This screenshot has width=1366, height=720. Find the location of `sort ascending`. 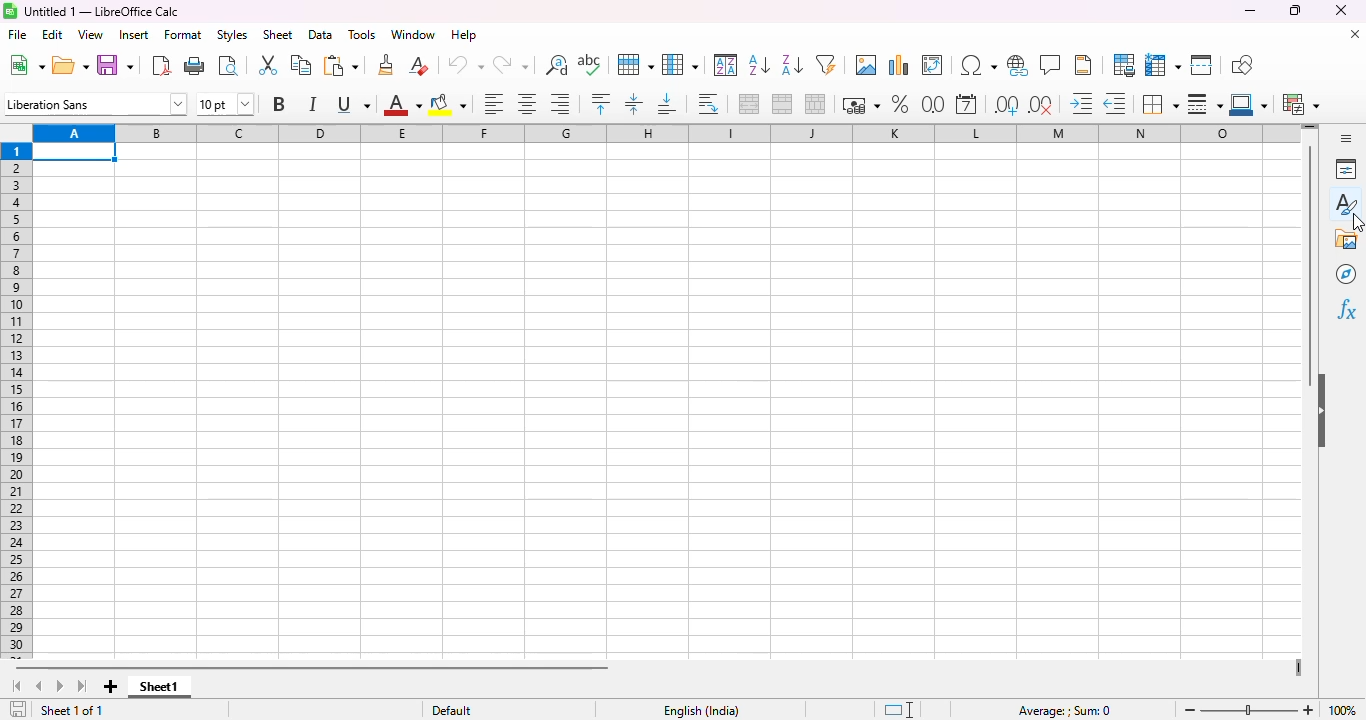

sort ascending is located at coordinates (759, 64).